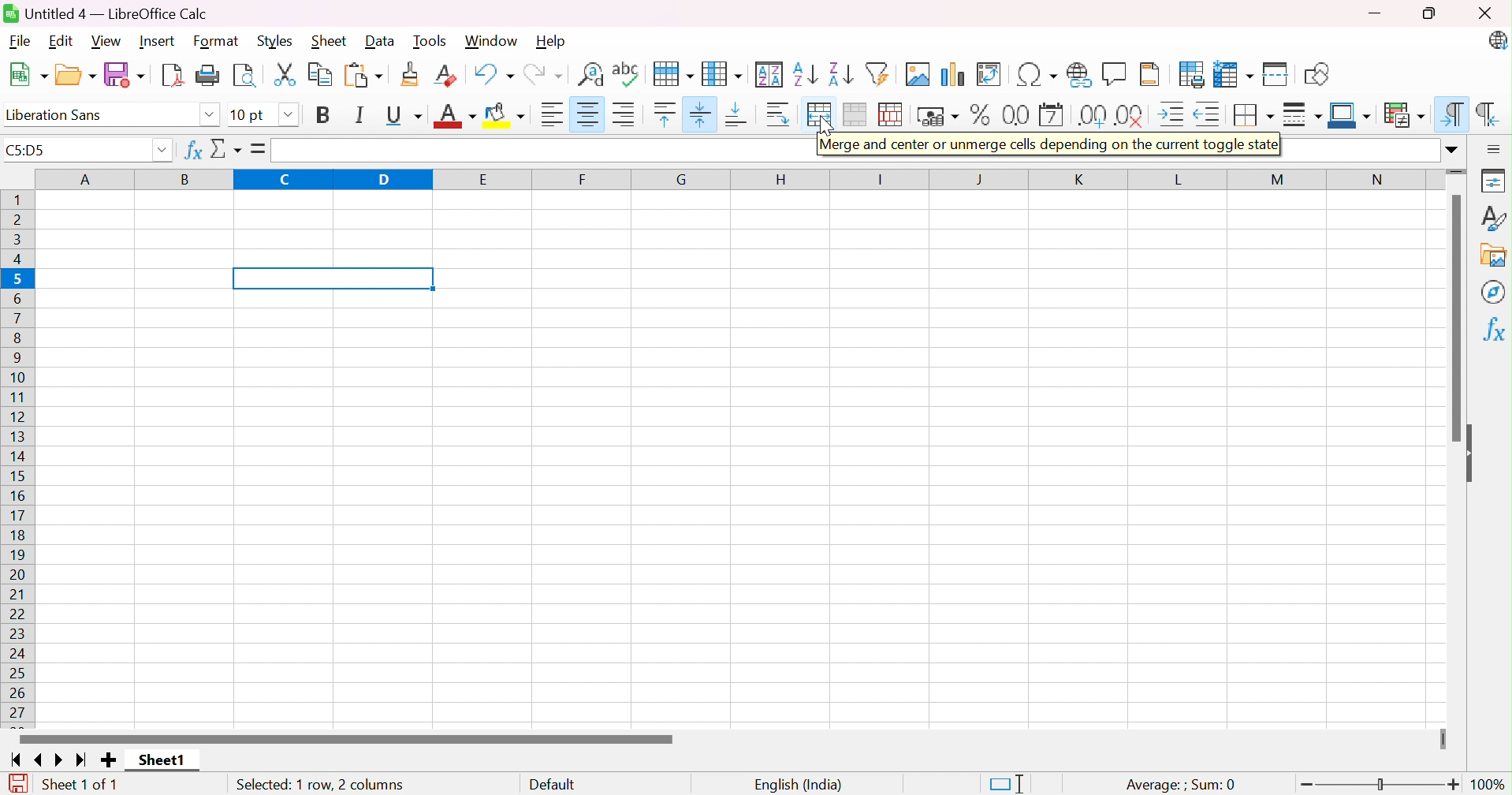 This screenshot has height=795, width=1512. Describe the element at coordinates (1349, 114) in the screenshot. I see `Border Color` at that location.